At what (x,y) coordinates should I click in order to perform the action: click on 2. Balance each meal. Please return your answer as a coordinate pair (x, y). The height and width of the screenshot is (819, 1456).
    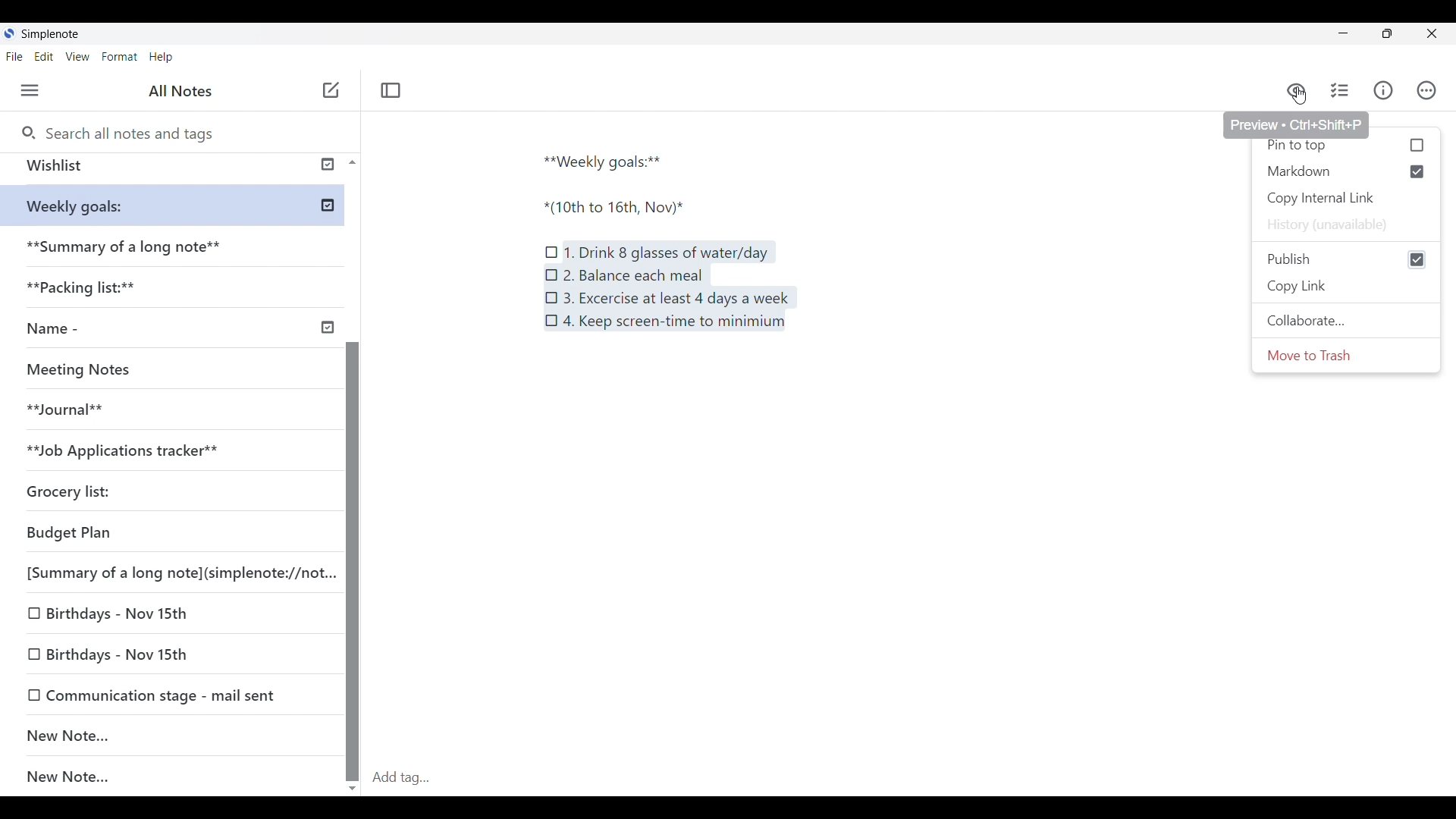
    Looking at the image, I should click on (632, 275).